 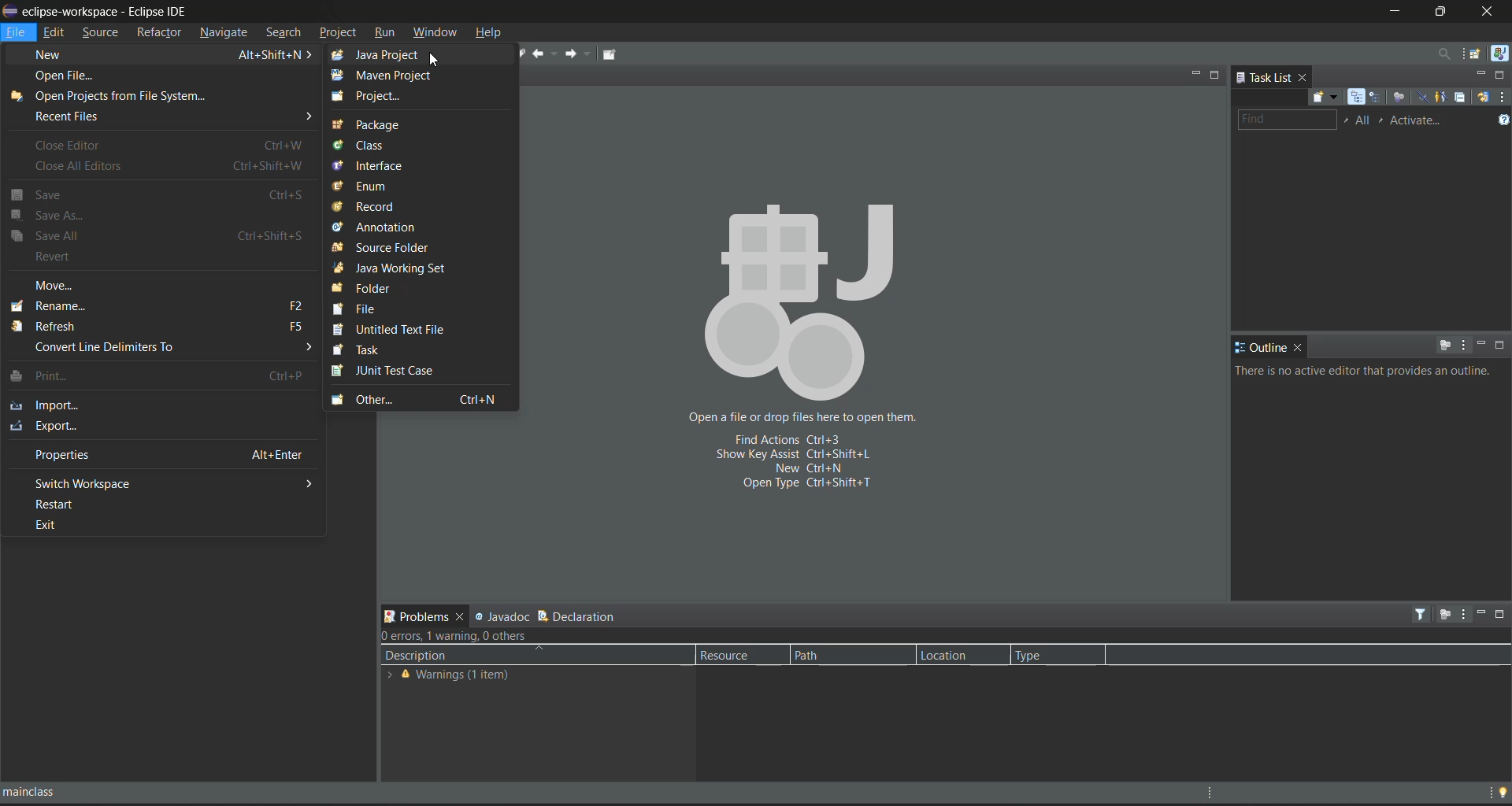 What do you see at coordinates (1503, 76) in the screenshot?
I see `maximize` at bounding box center [1503, 76].